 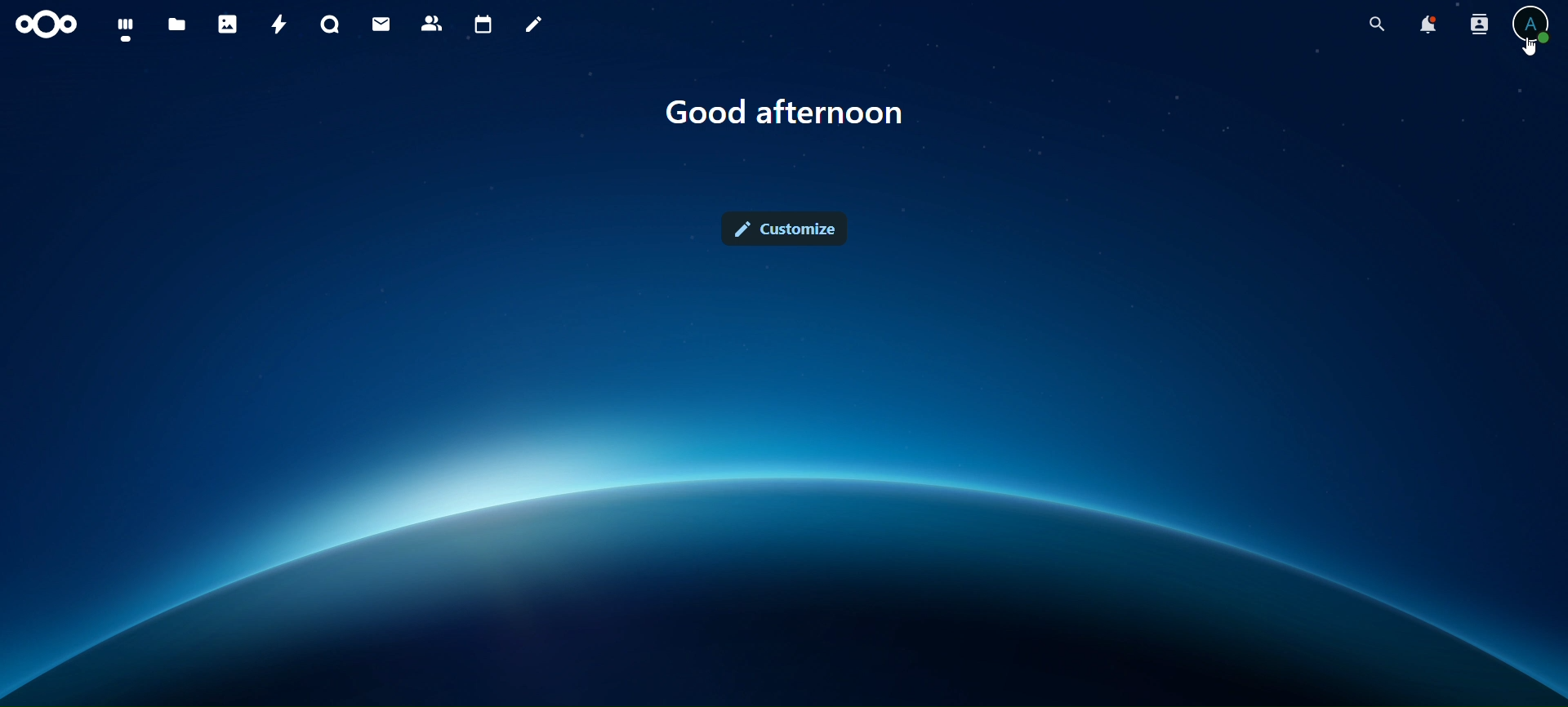 I want to click on contacts, so click(x=431, y=23).